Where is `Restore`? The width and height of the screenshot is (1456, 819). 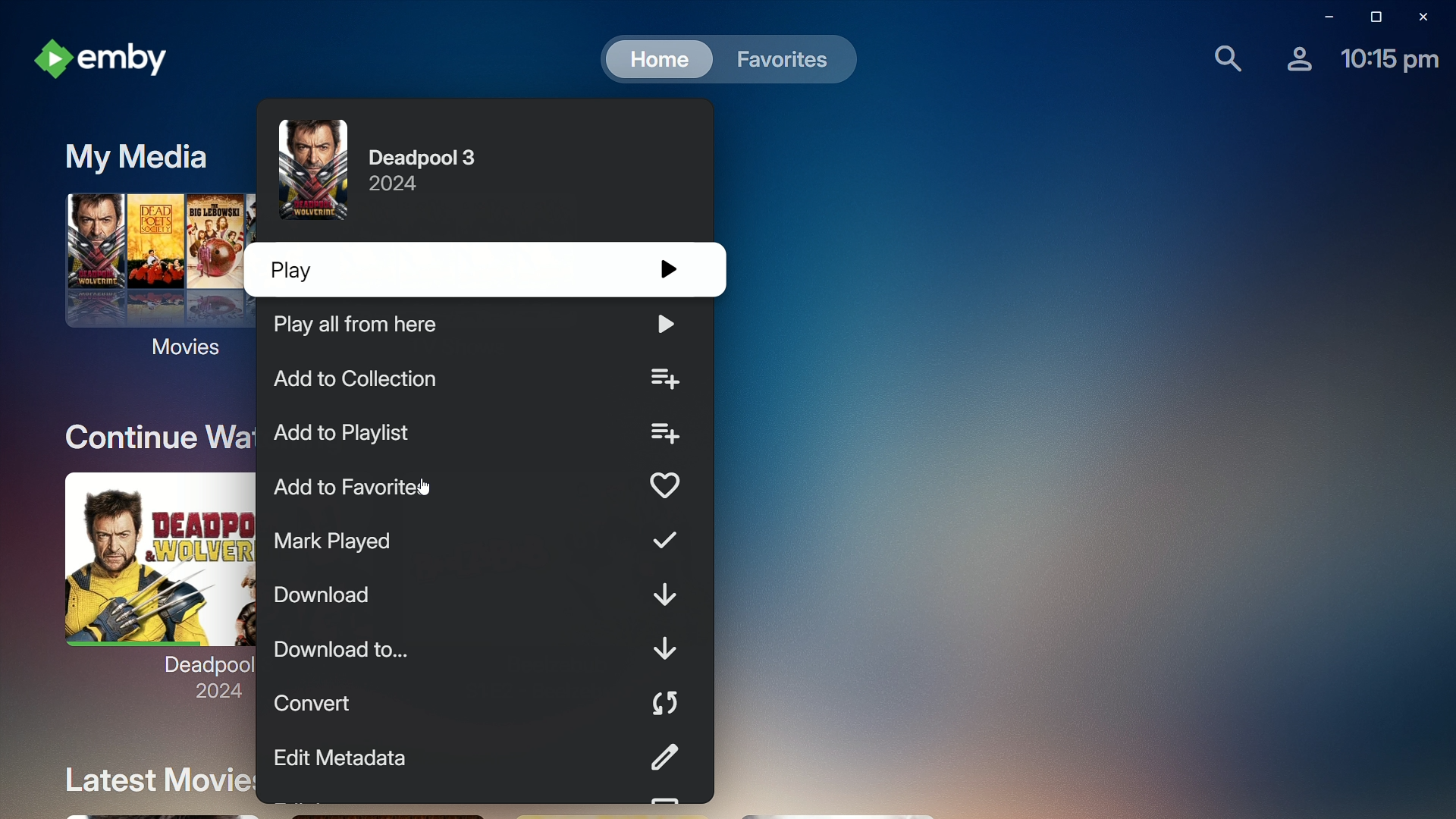
Restore is located at coordinates (1371, 20).